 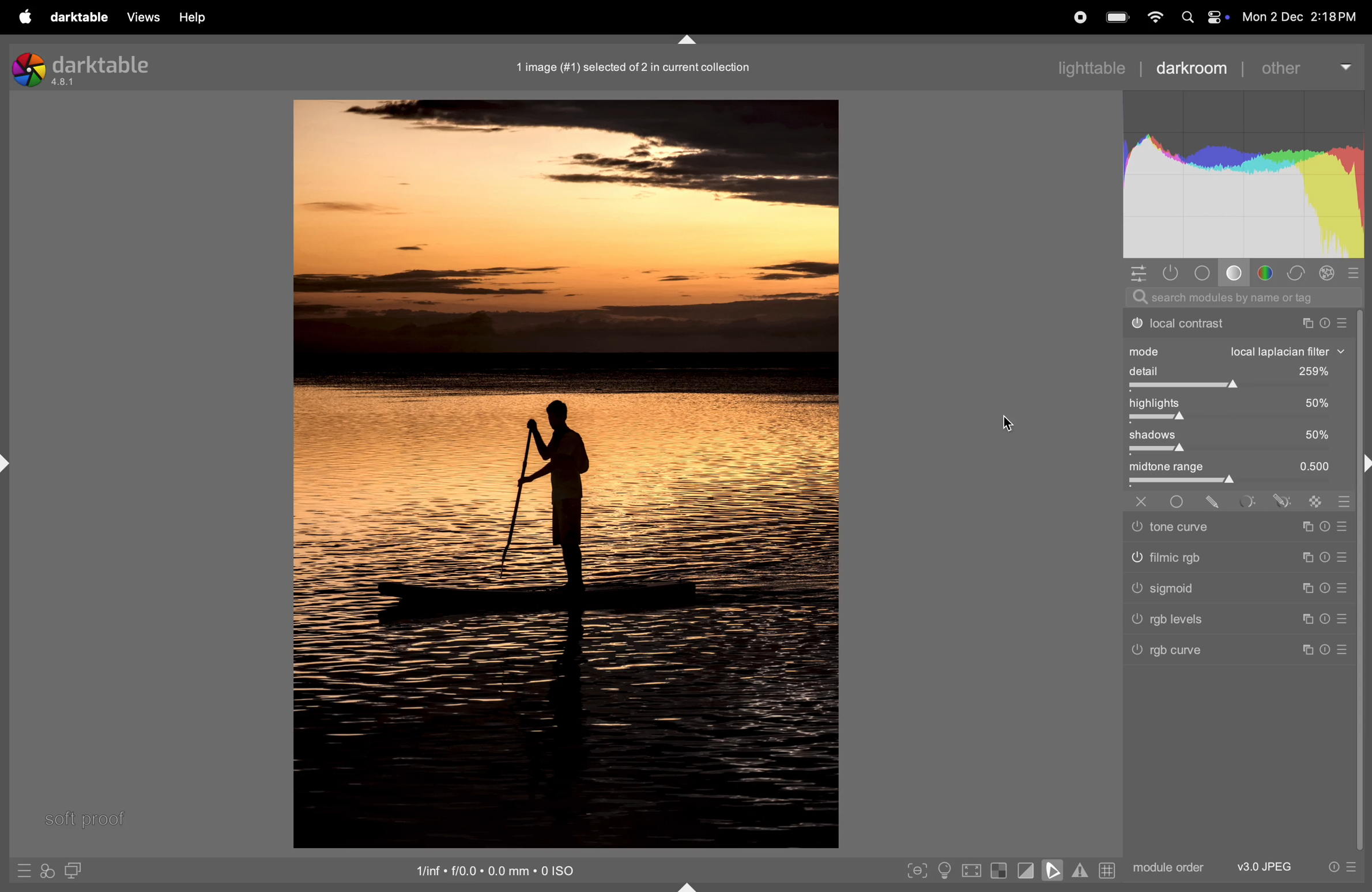 What do you see at coordinates (1242, 173) in the screenshot?
I see `histogram` at bounding box center [1242, 173].